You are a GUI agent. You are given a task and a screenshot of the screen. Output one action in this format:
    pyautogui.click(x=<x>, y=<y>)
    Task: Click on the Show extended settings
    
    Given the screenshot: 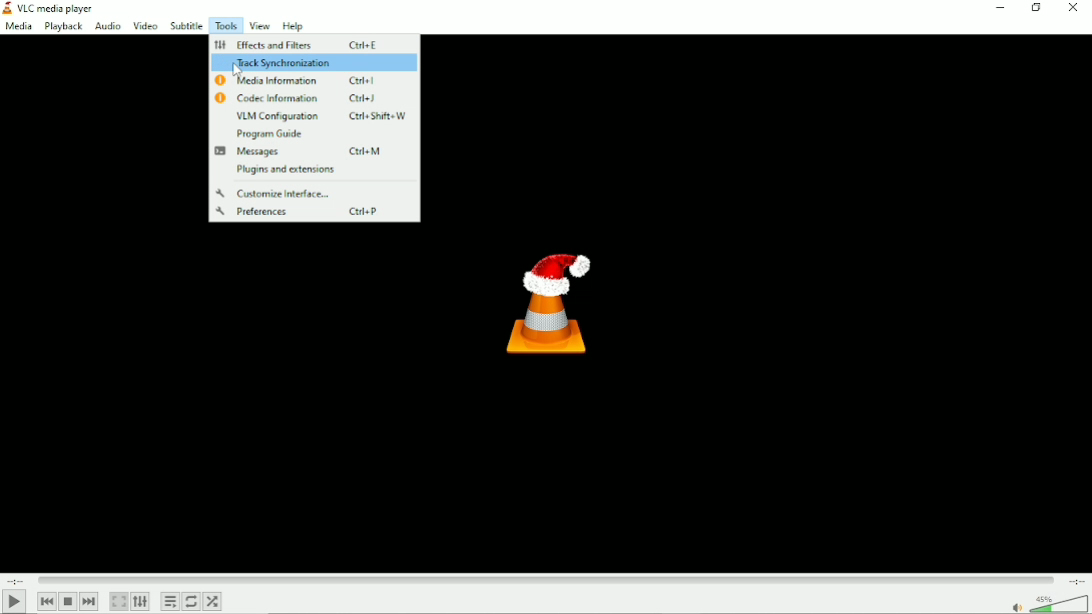 What is the action you would take?
    pyautogui.click(x=142, y=602)
    